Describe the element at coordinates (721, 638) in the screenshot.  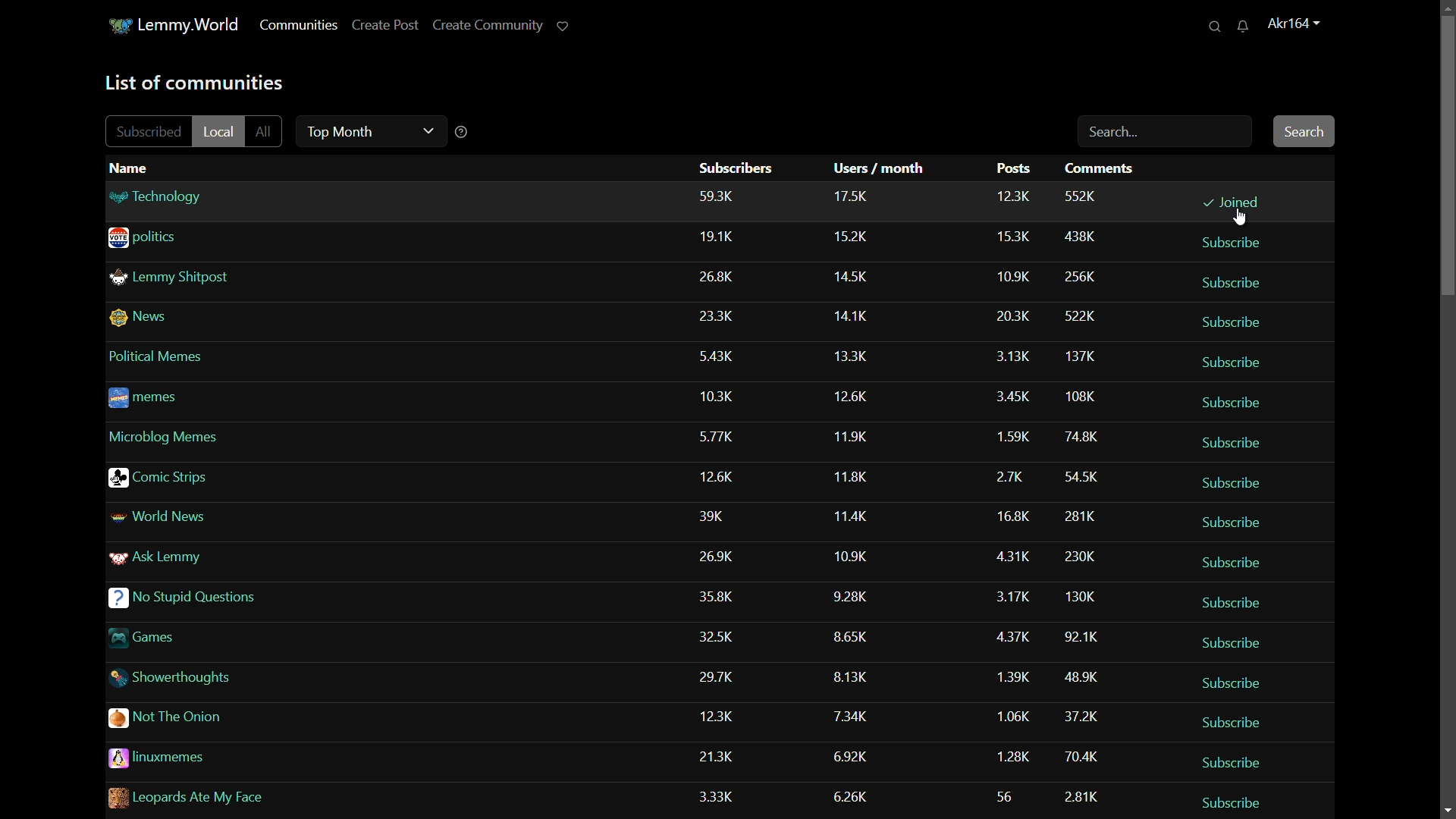
I see `subscribers` at that location.